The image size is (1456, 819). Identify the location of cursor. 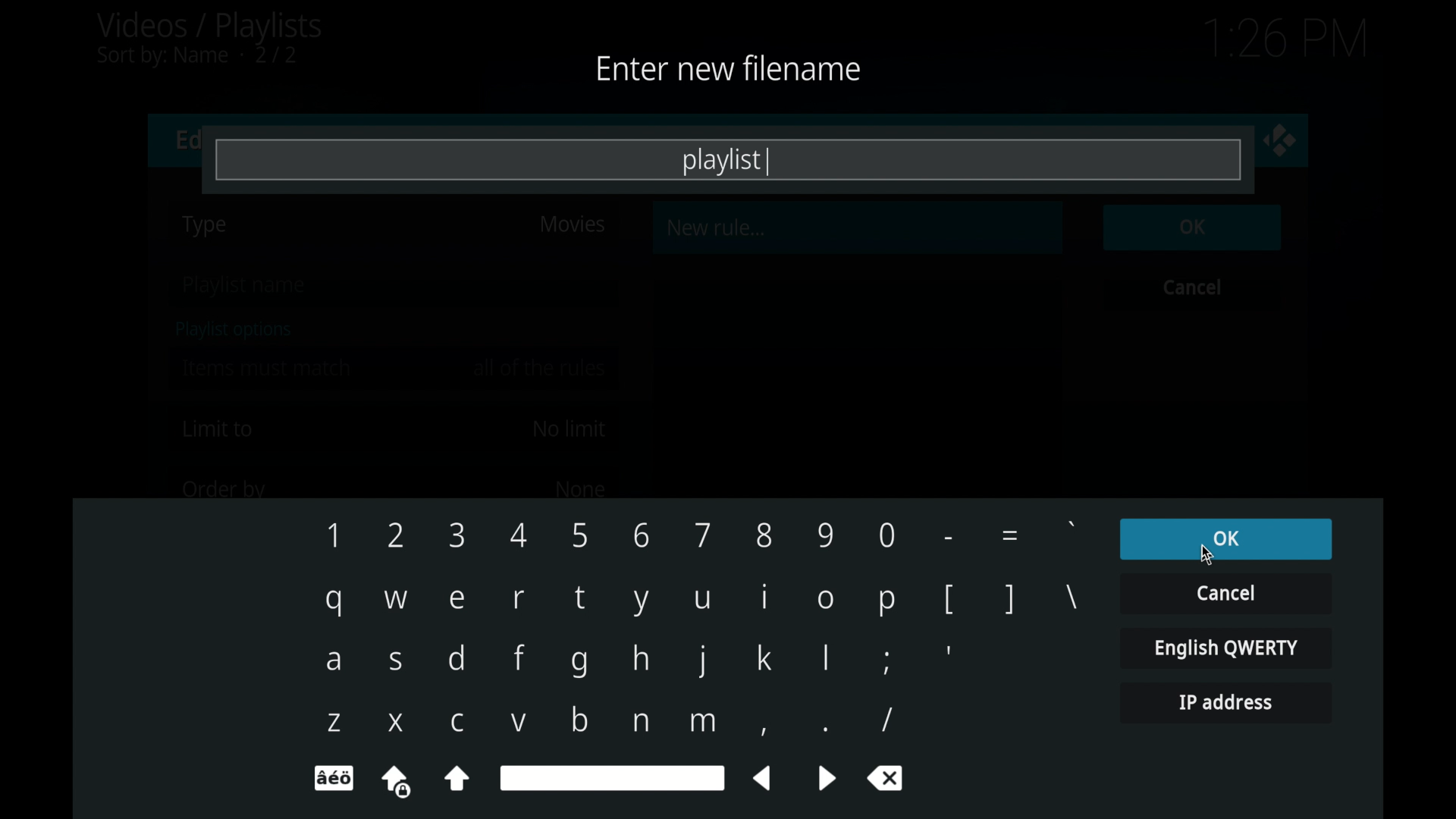
(1209, 555).